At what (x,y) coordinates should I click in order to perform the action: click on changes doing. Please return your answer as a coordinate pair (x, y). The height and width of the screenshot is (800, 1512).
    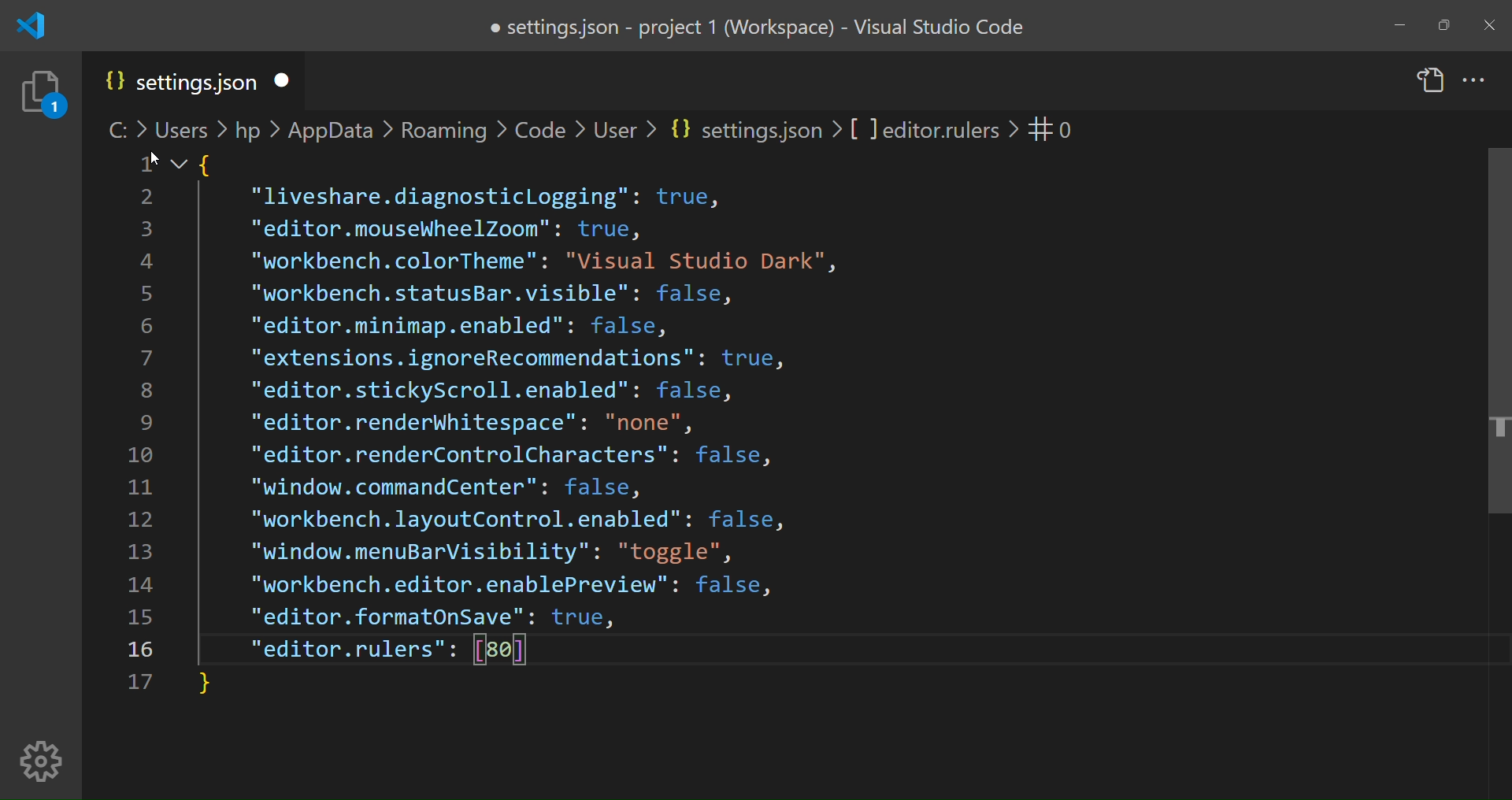
    Looking at the image, I should click on (43, 94).